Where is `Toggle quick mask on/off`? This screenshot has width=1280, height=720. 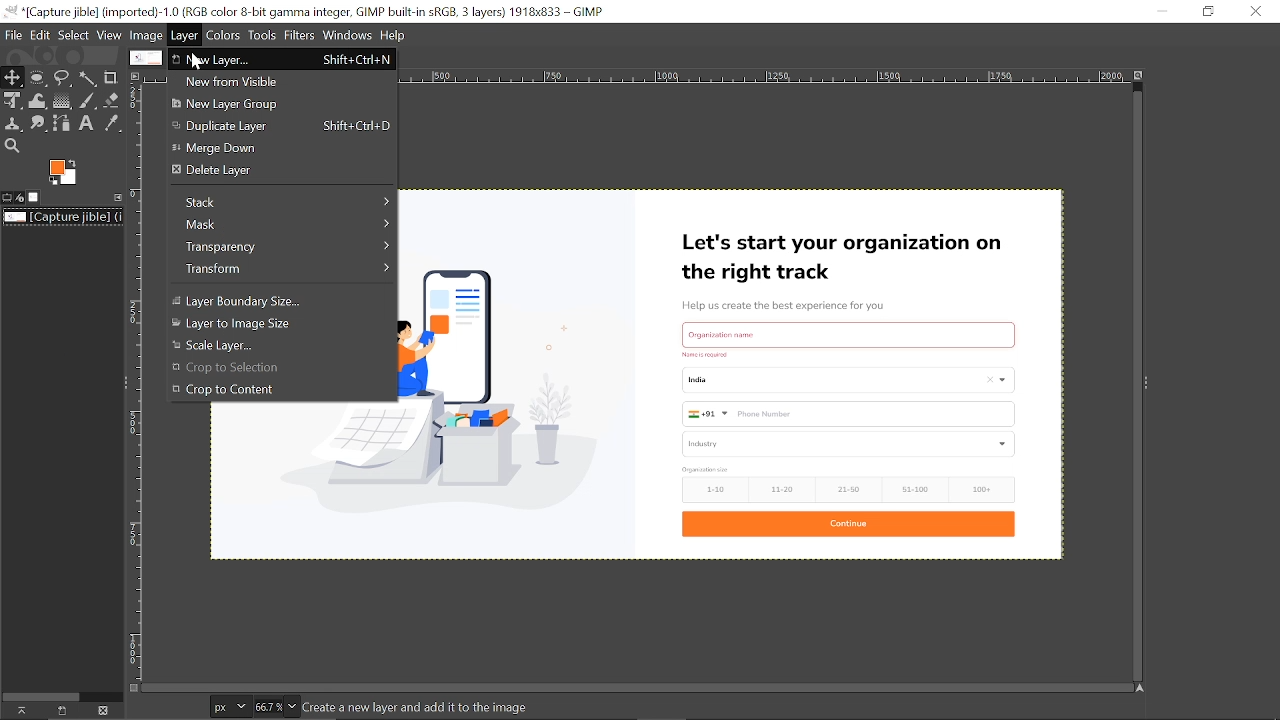 Toggle quick mask on/off is located at coordinates (132, 688).